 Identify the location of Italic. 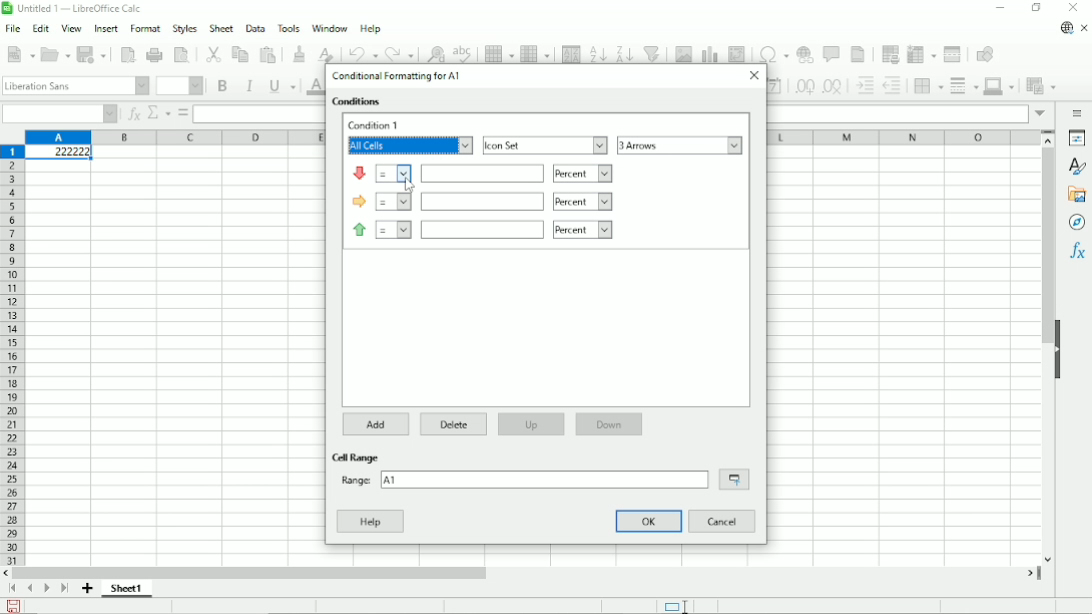
(249, 86).